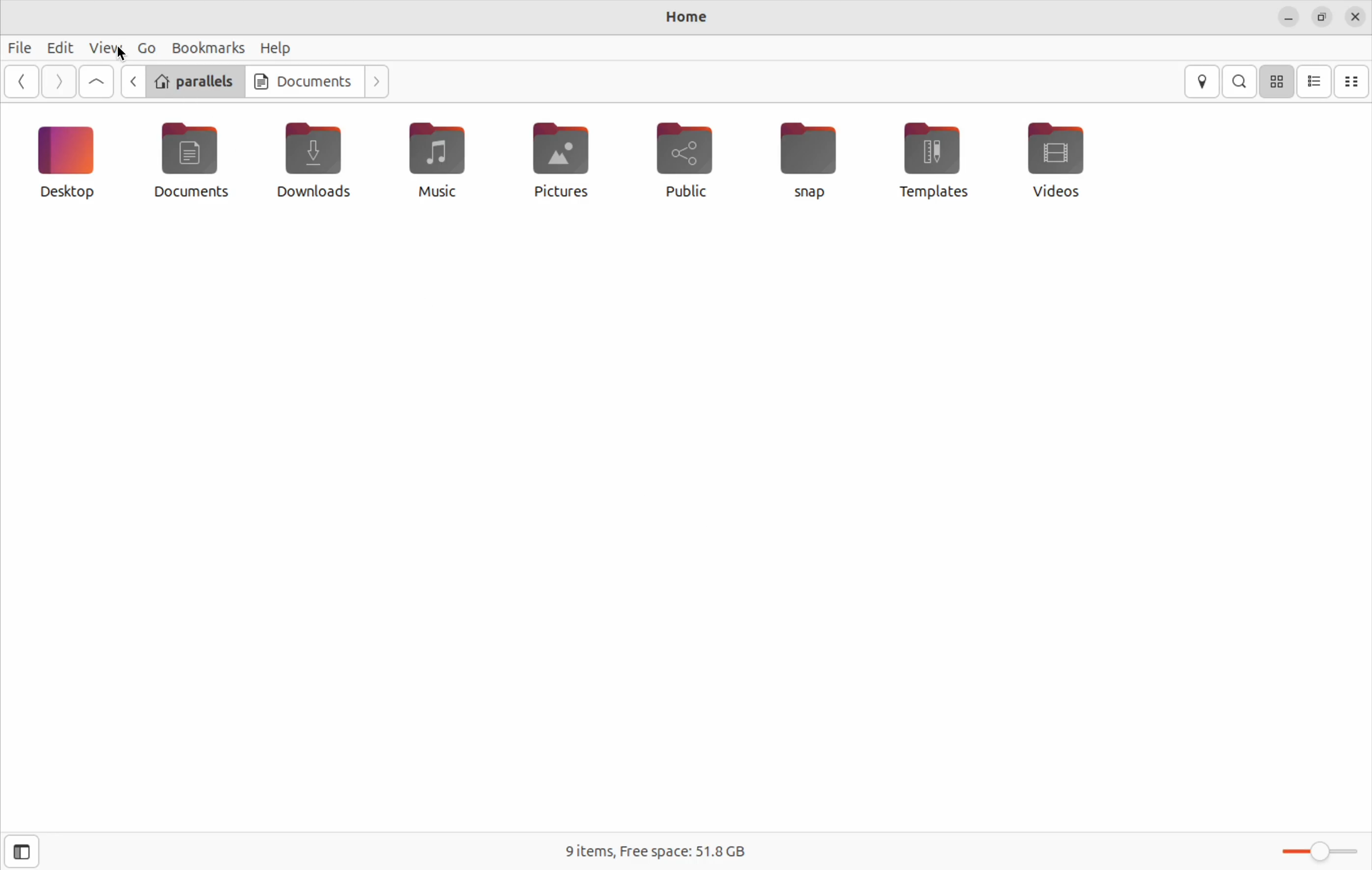 This screenshot has height=870, width=1372. I want to click on snap, so click(809, 160).